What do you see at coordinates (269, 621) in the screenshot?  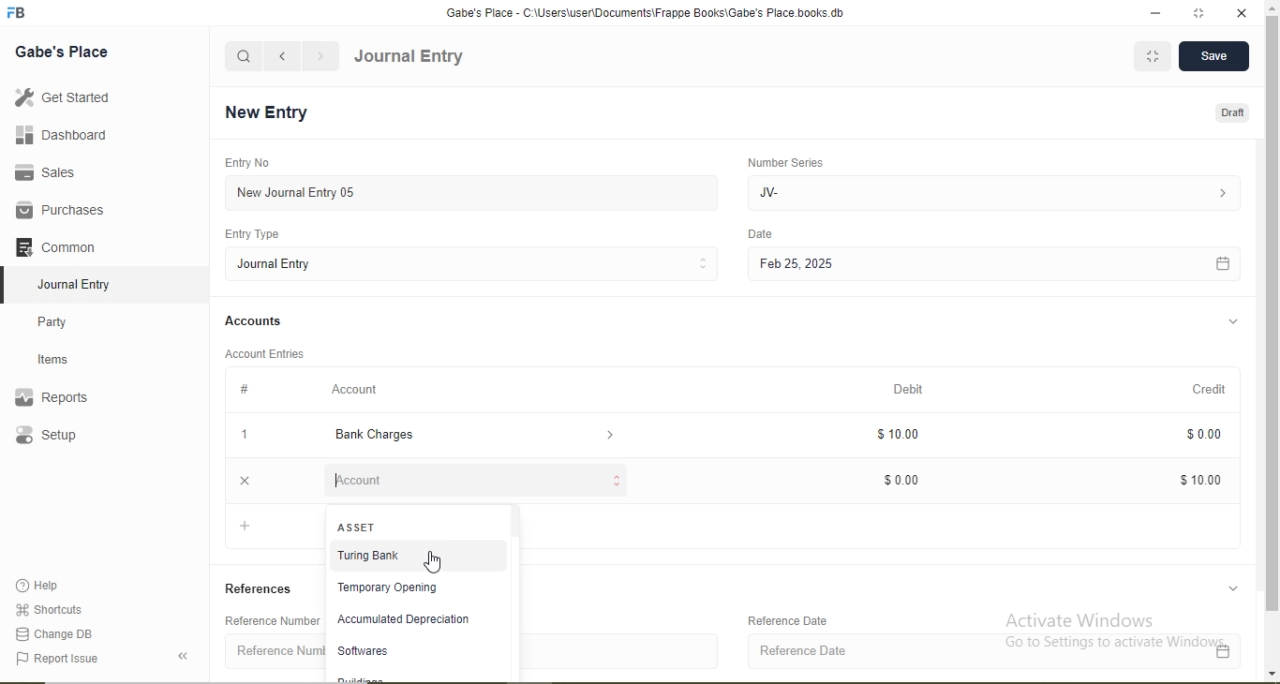 I see `Reference Number` at bounding box center [269, 621].